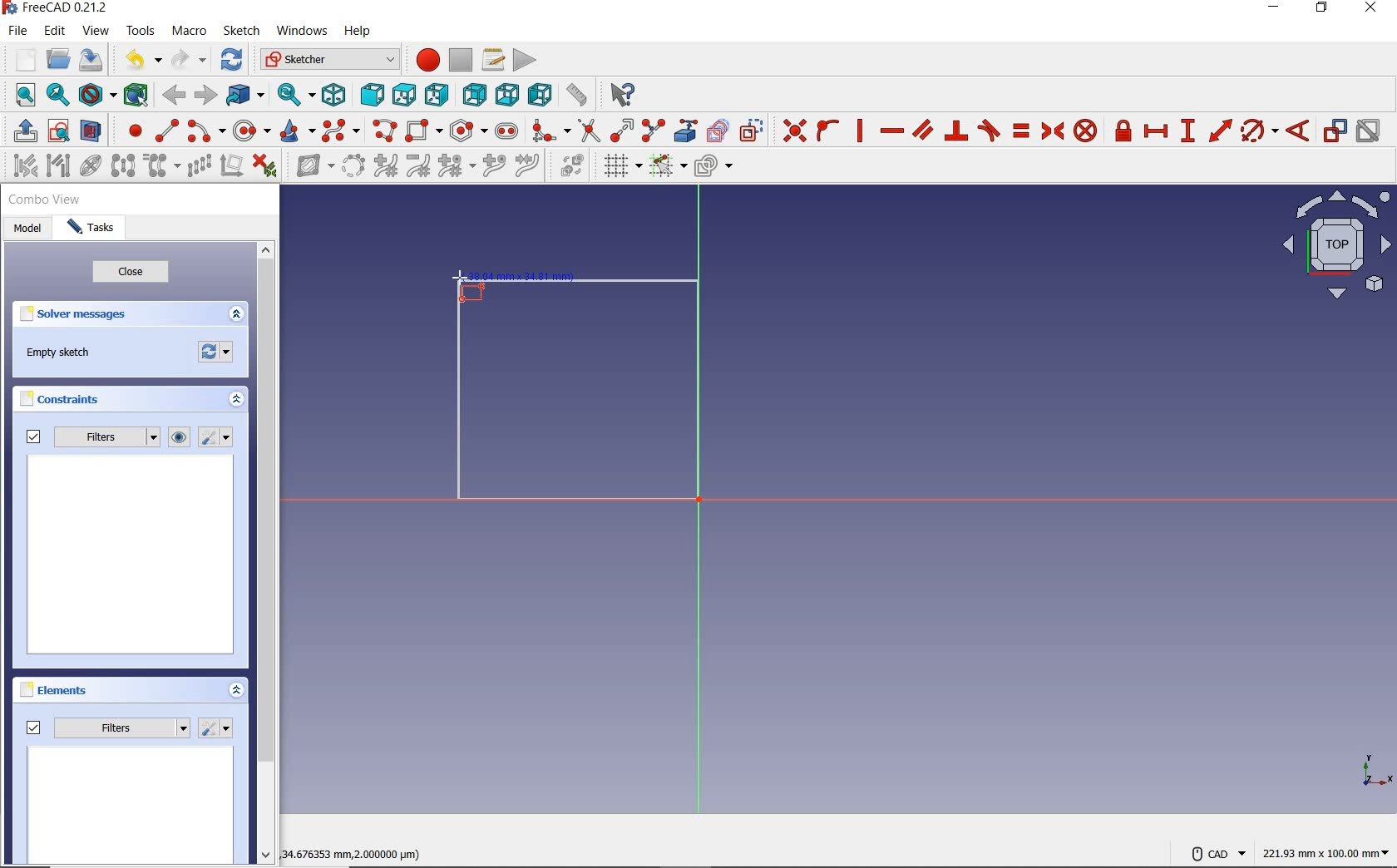 The image size is (1397, 868). What do you see at coordinates (237, 401) in the screenshot?
I see `expand` at bounding box center [237, 401].